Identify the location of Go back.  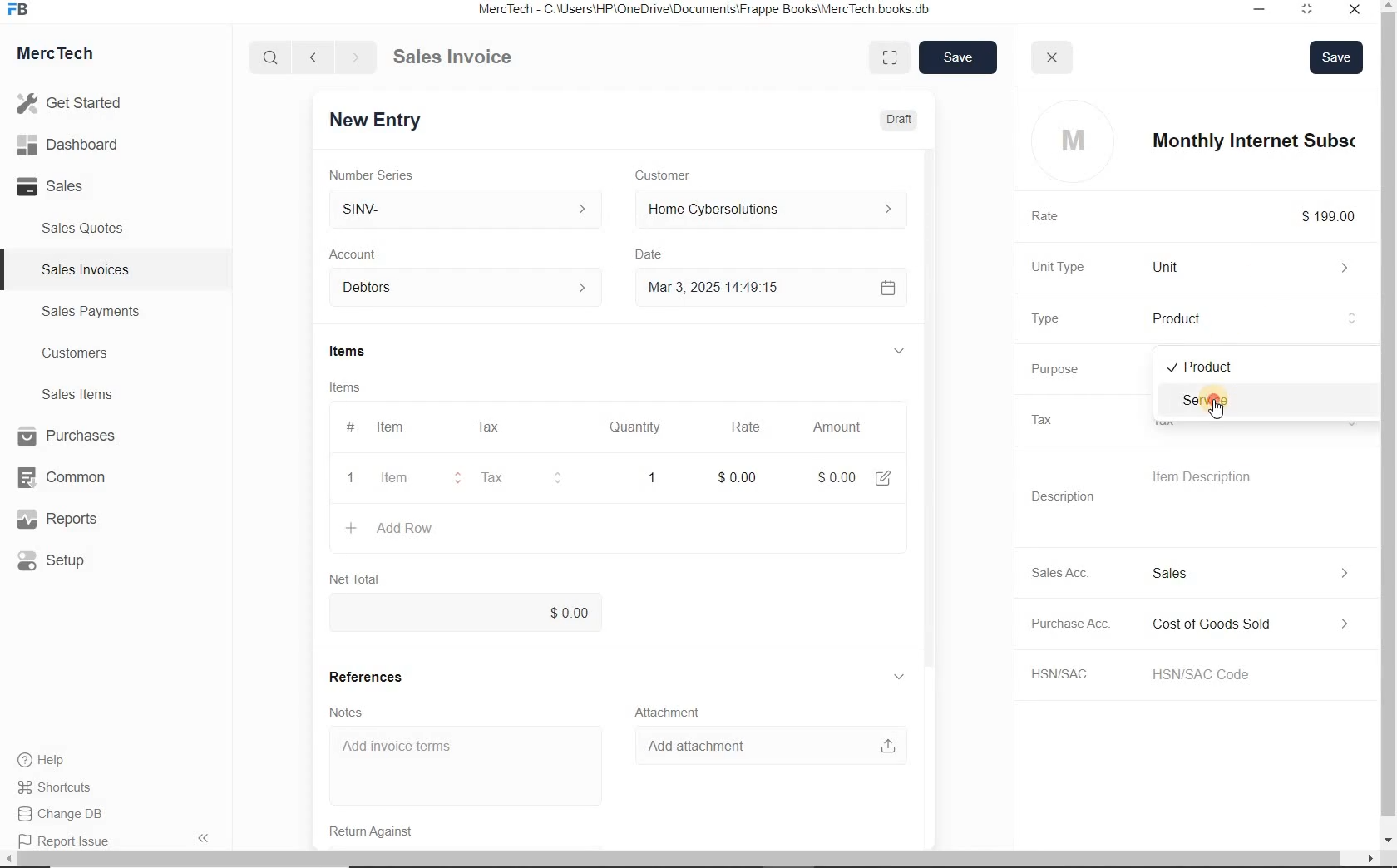
(315, 57).